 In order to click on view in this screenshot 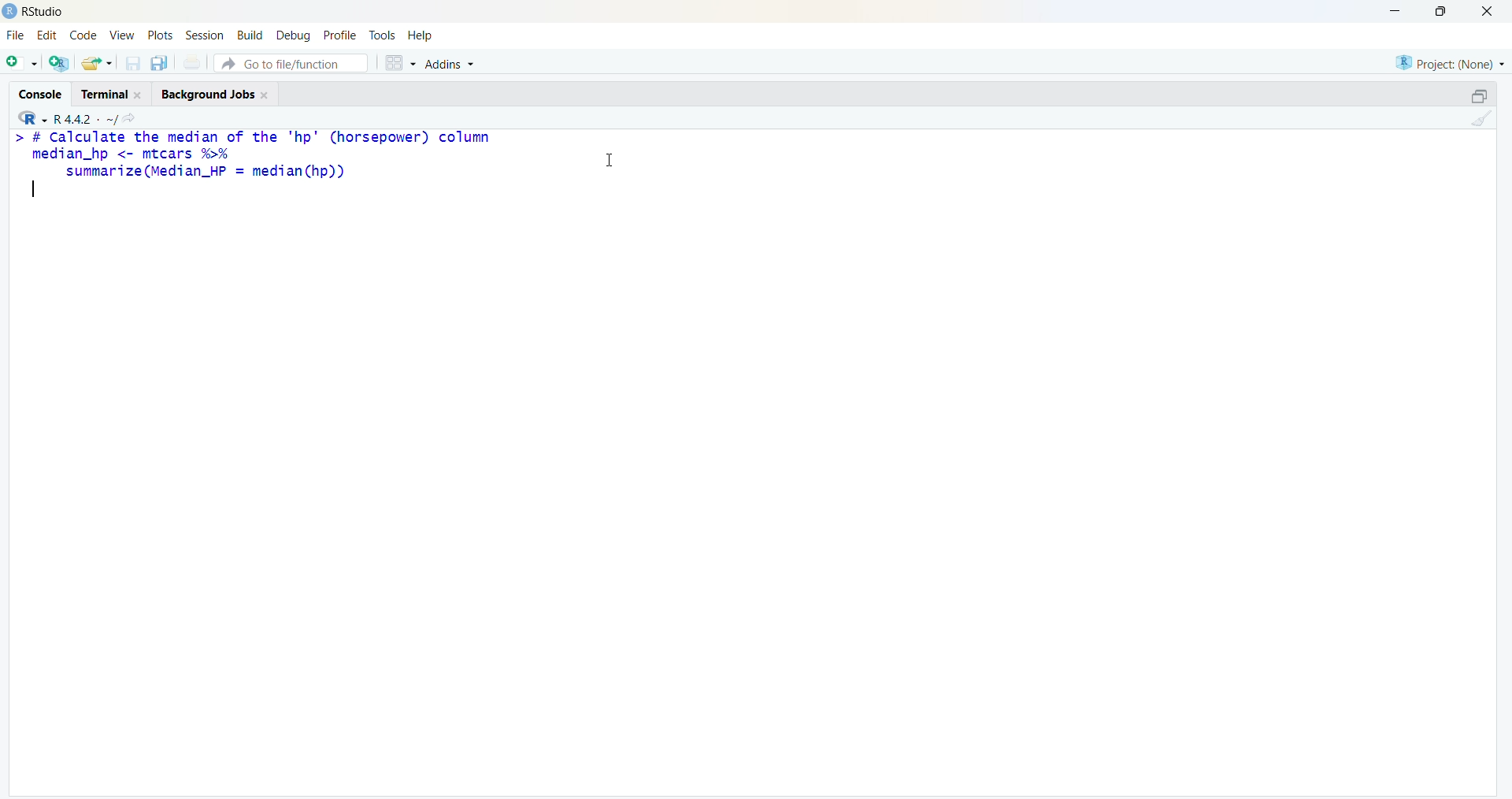, I will do `click(123, 36)`.